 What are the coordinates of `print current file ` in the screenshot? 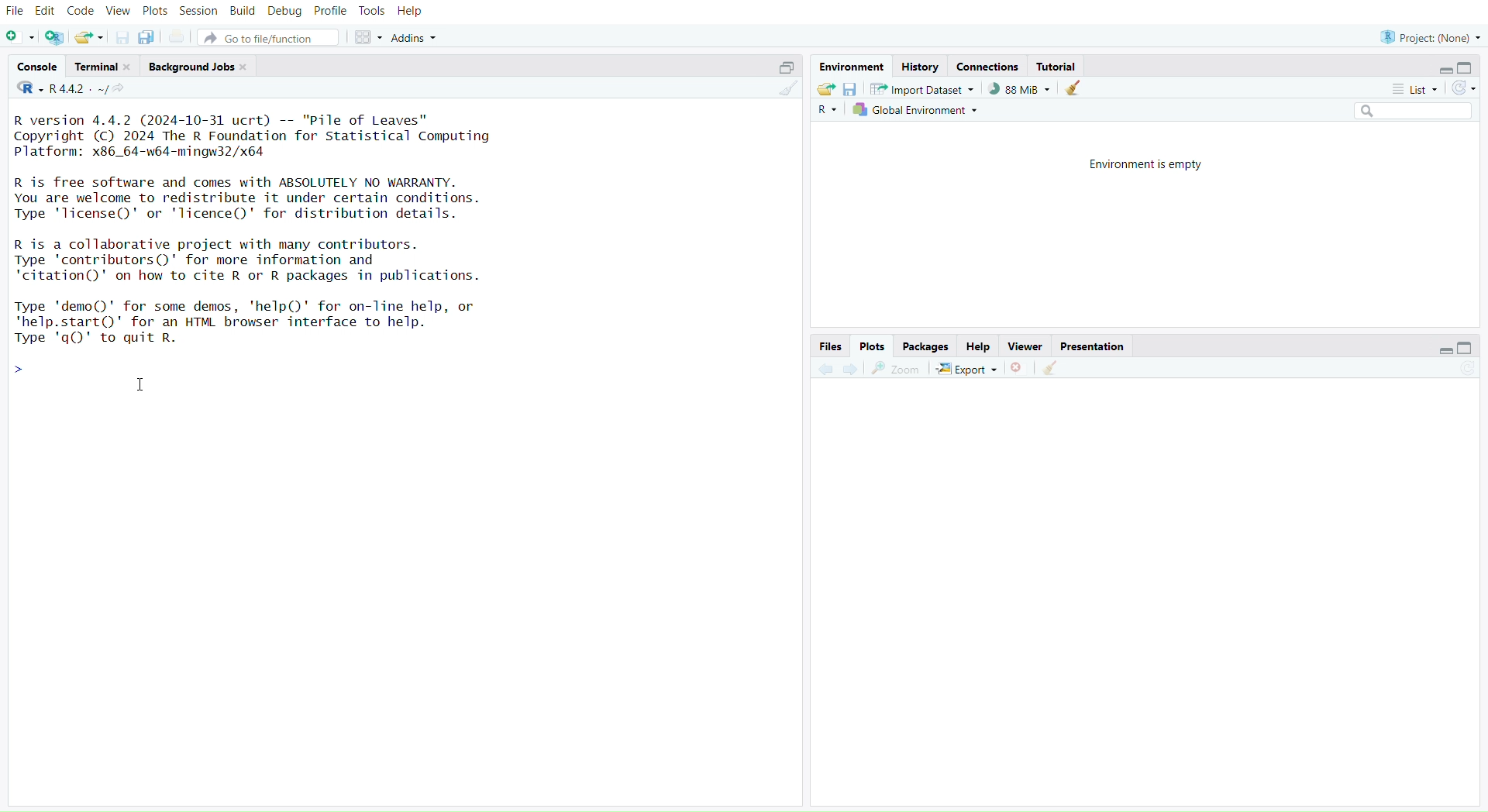 It's located at (179, 38).